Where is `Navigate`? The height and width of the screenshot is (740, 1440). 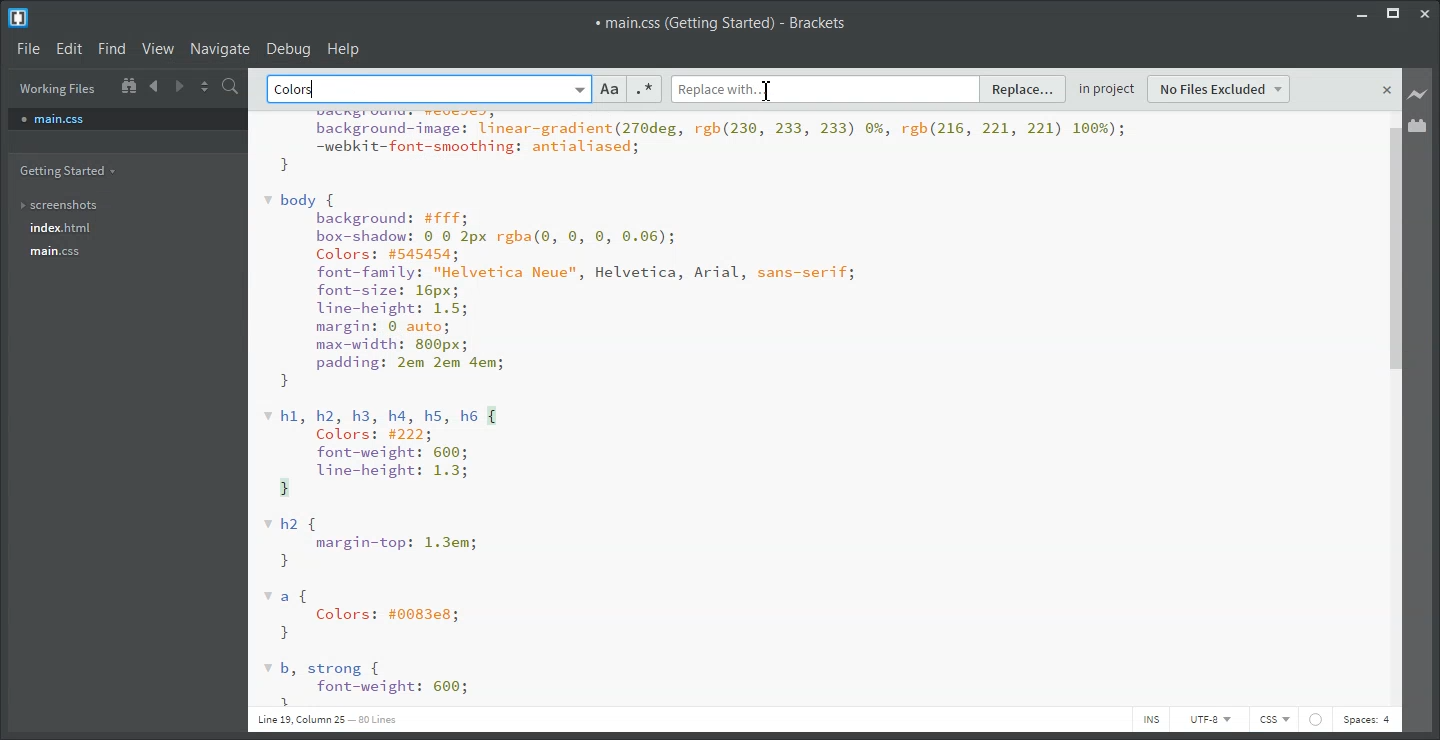
Navigate is located at coordinates (220, 48).